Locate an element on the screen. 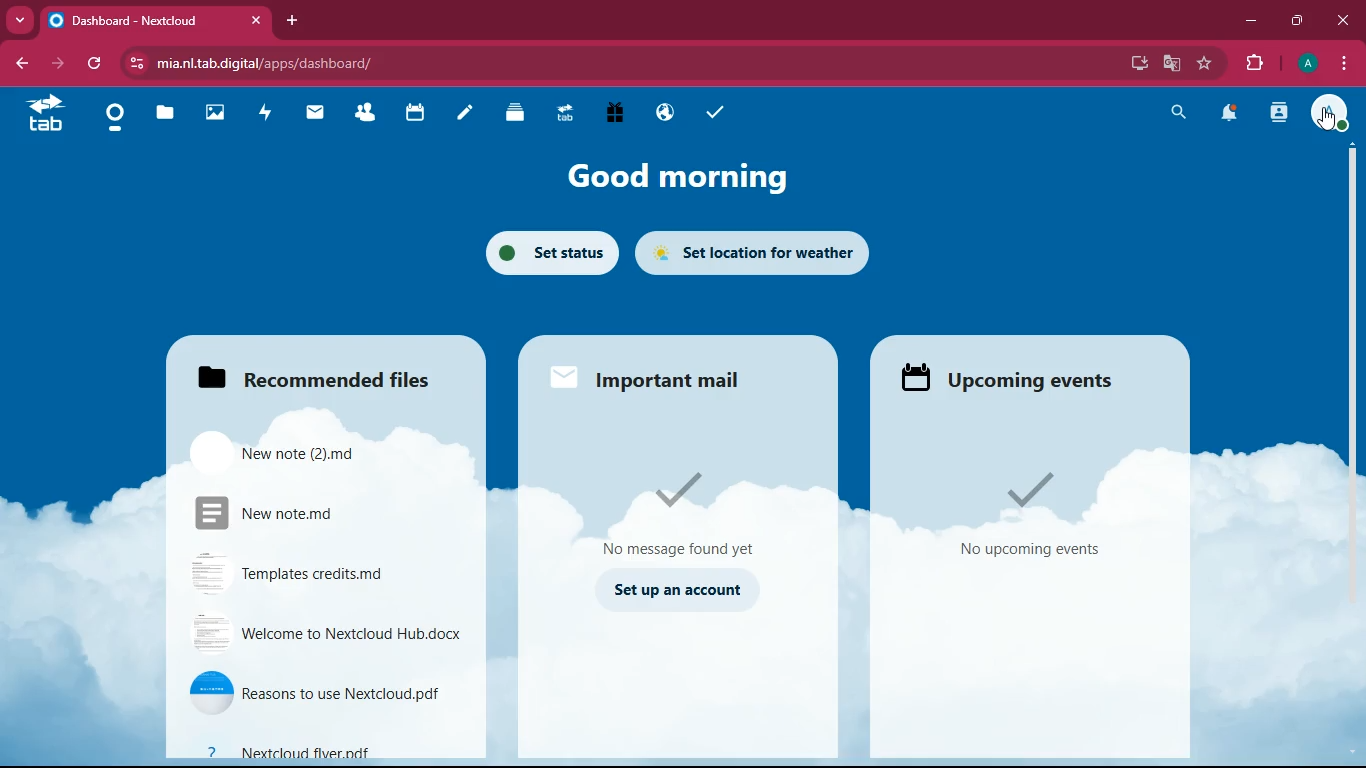 This screenshot has width=1366, height=768. files is located at coordinates (311, 377).